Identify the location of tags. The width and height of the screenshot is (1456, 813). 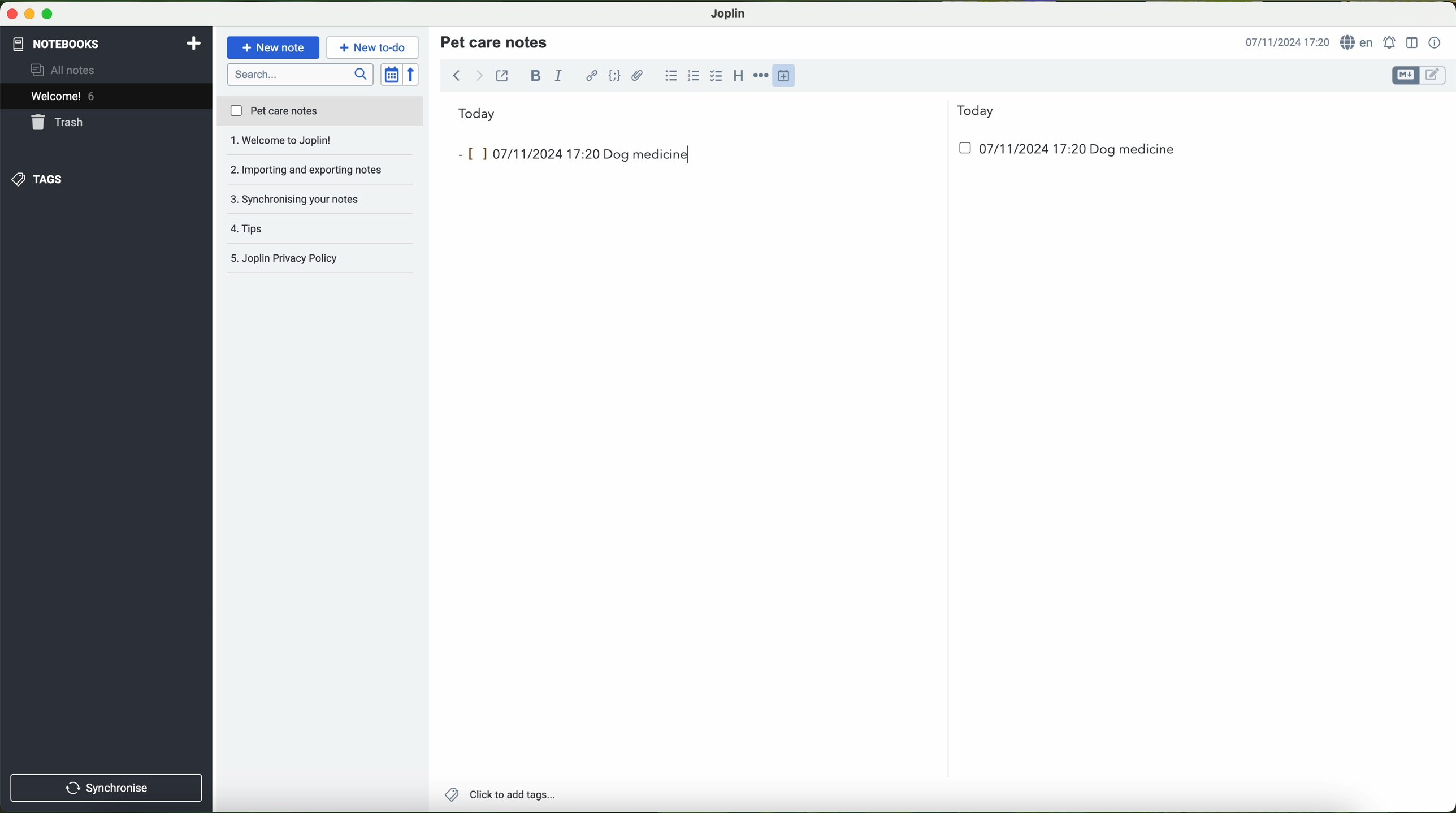
(36, 179).